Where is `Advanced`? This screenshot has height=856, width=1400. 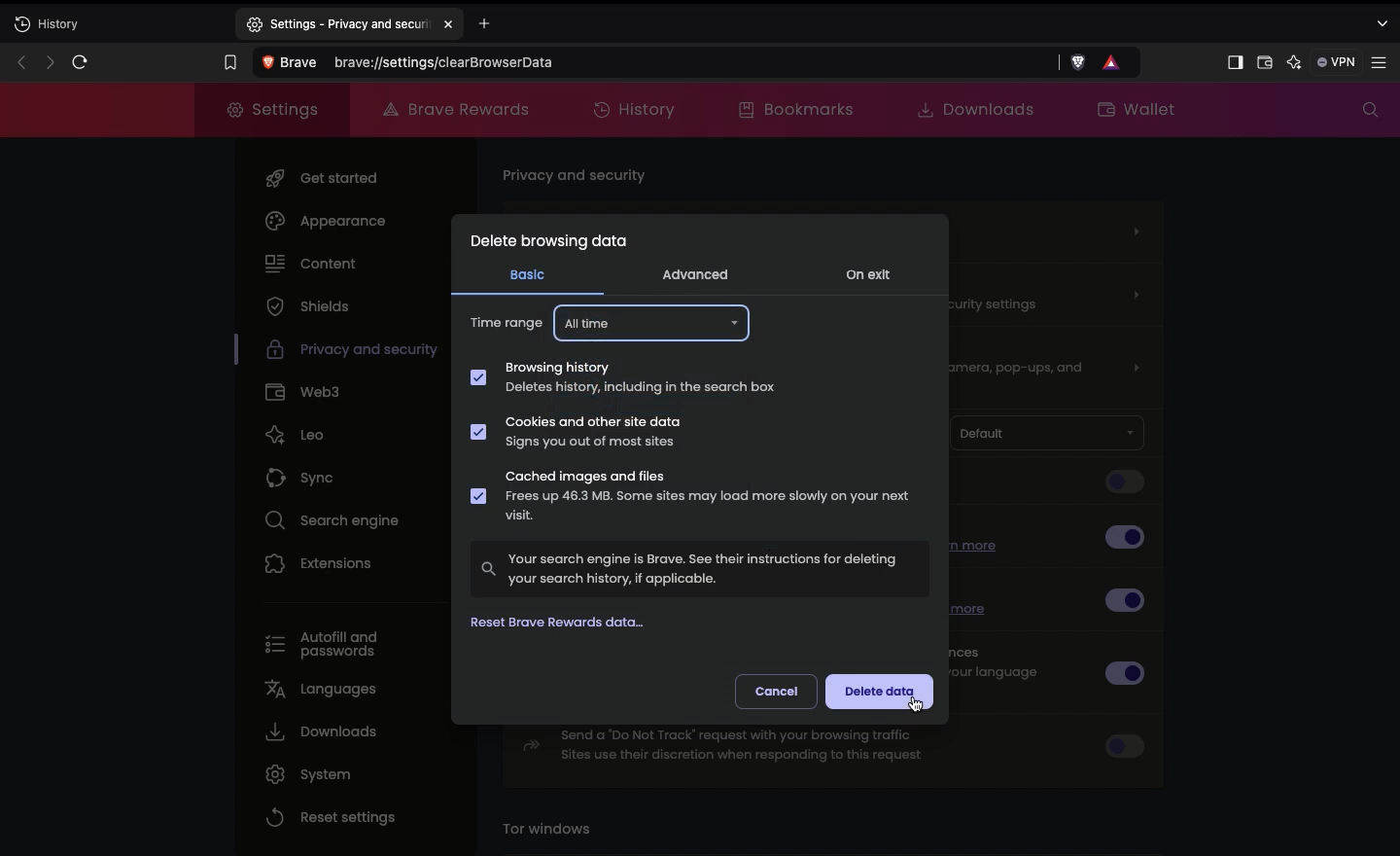 Advanced is located at coordinates (695, 273).